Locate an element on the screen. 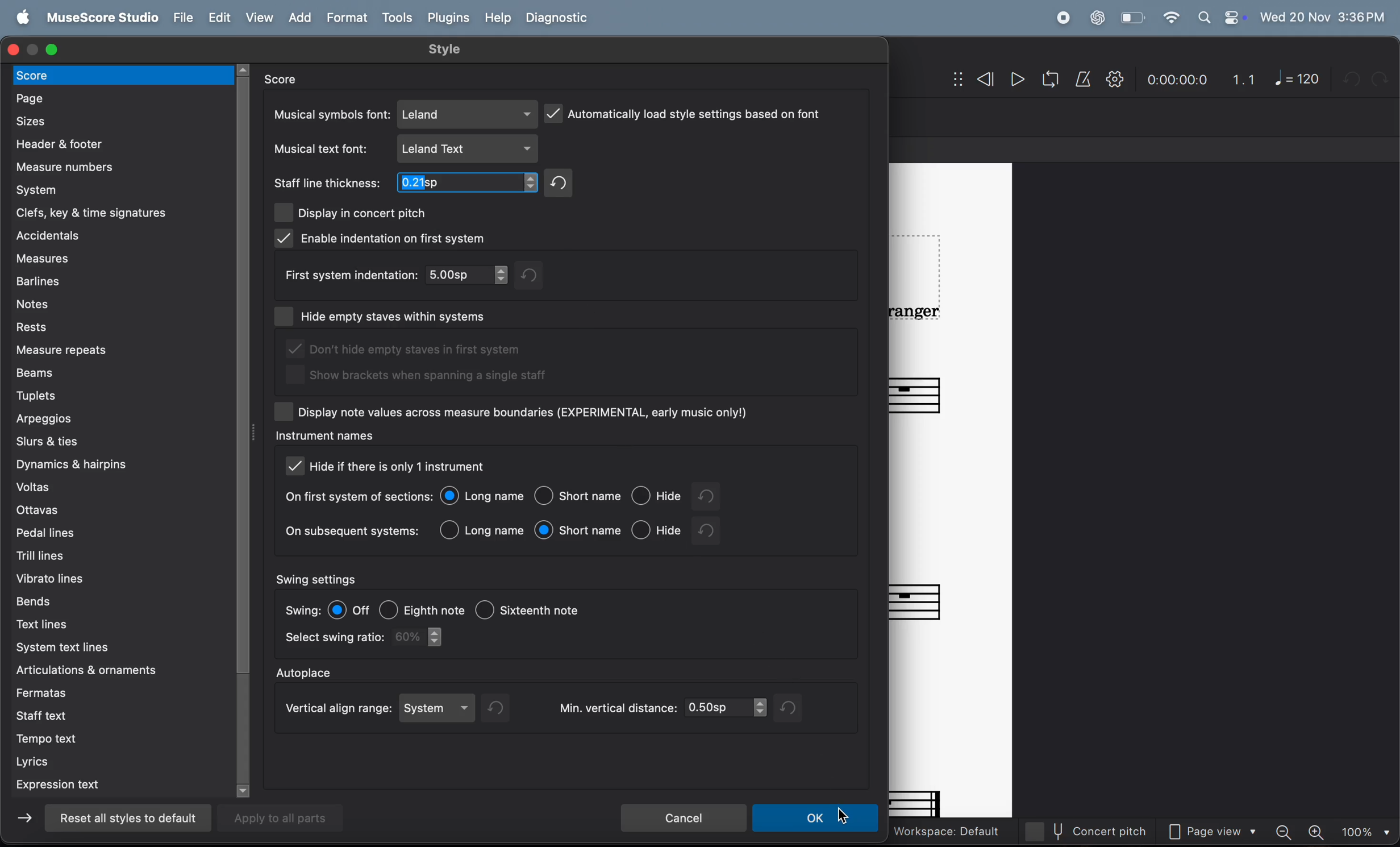  concert pitch is located at coordinates (1093, 831).